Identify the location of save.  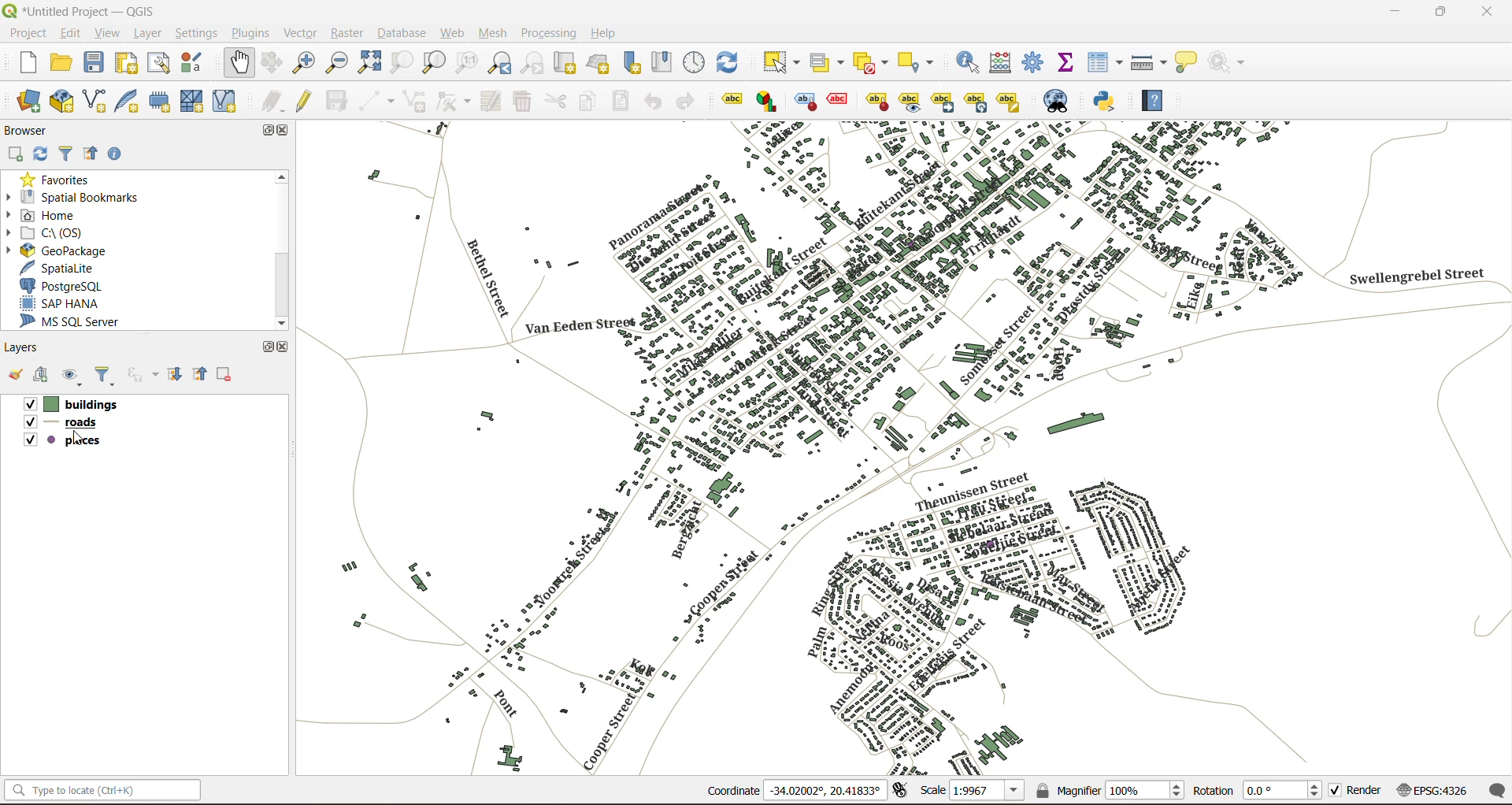
(94, 62).